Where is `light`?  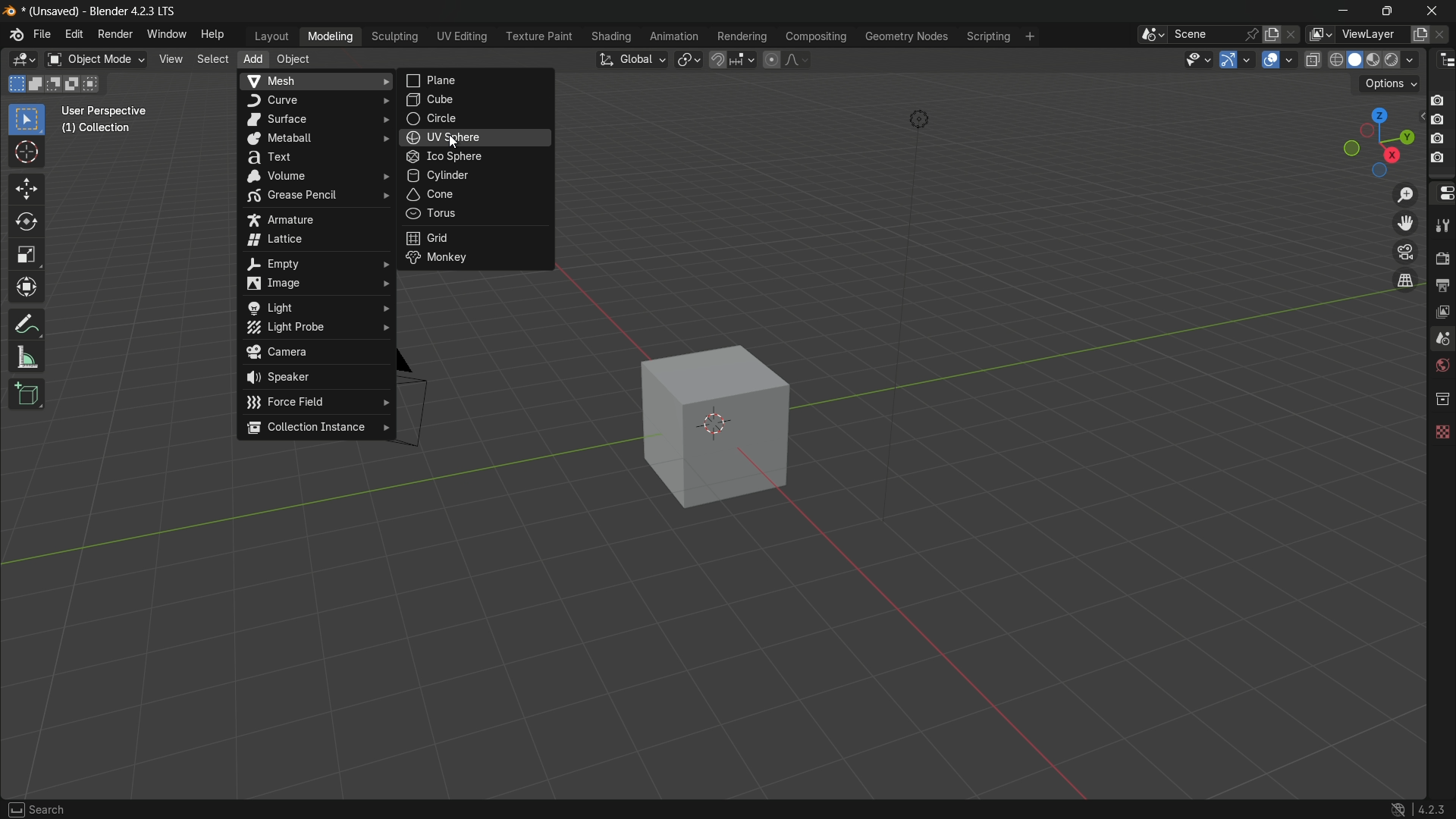
light is located at coordinates (318, 306).